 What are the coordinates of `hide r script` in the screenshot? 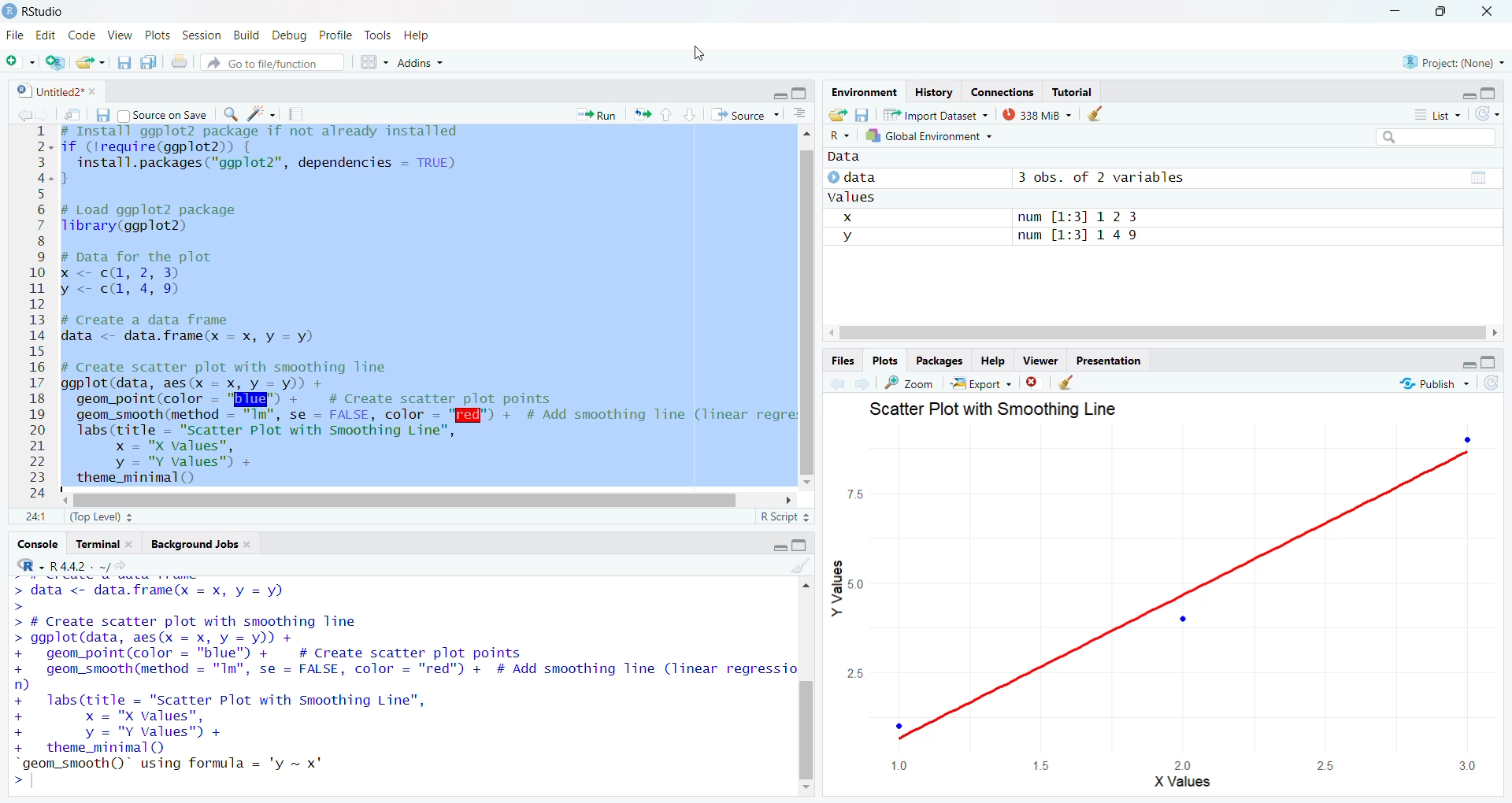 It's located at (776, 545).